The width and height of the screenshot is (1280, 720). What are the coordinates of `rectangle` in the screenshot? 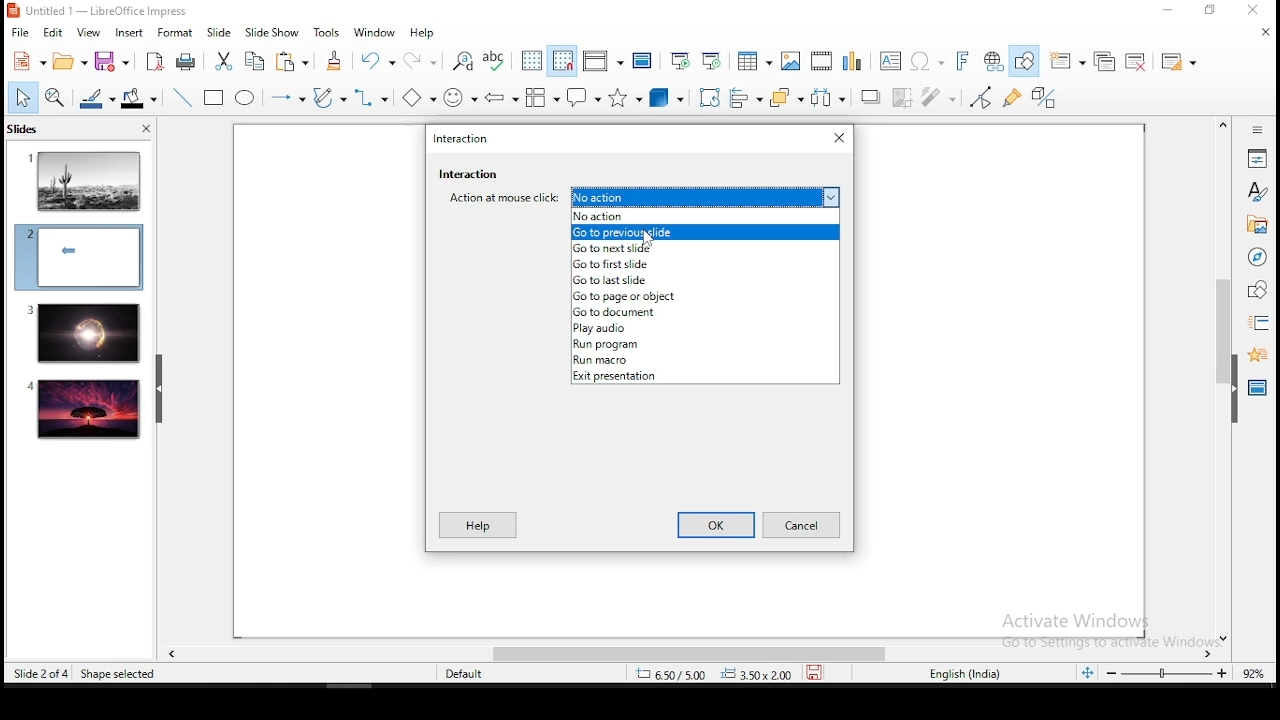 It's located at (215, 99).